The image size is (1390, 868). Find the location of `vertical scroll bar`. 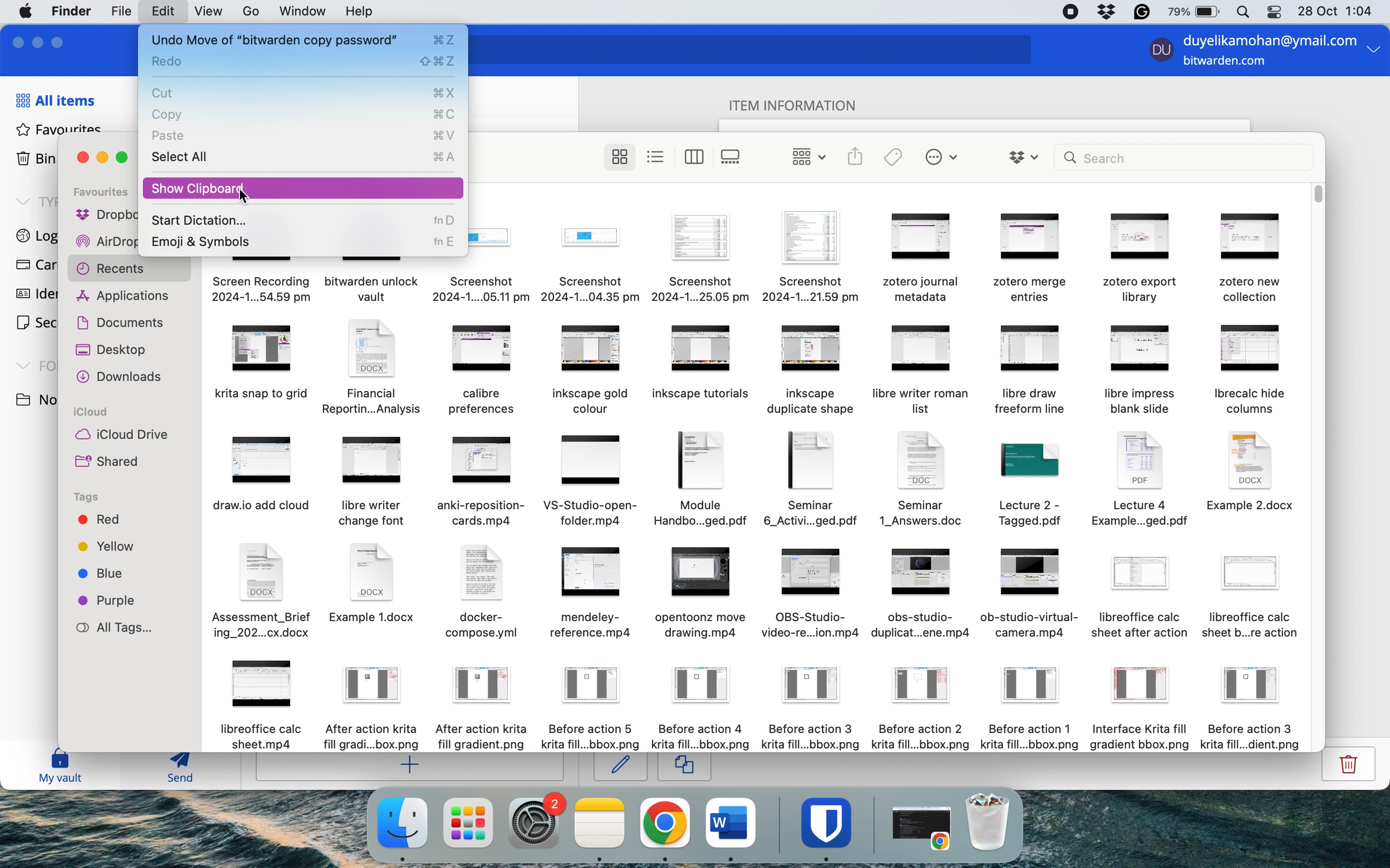

vertical scroll bar is located at coordinates (1318, 195).